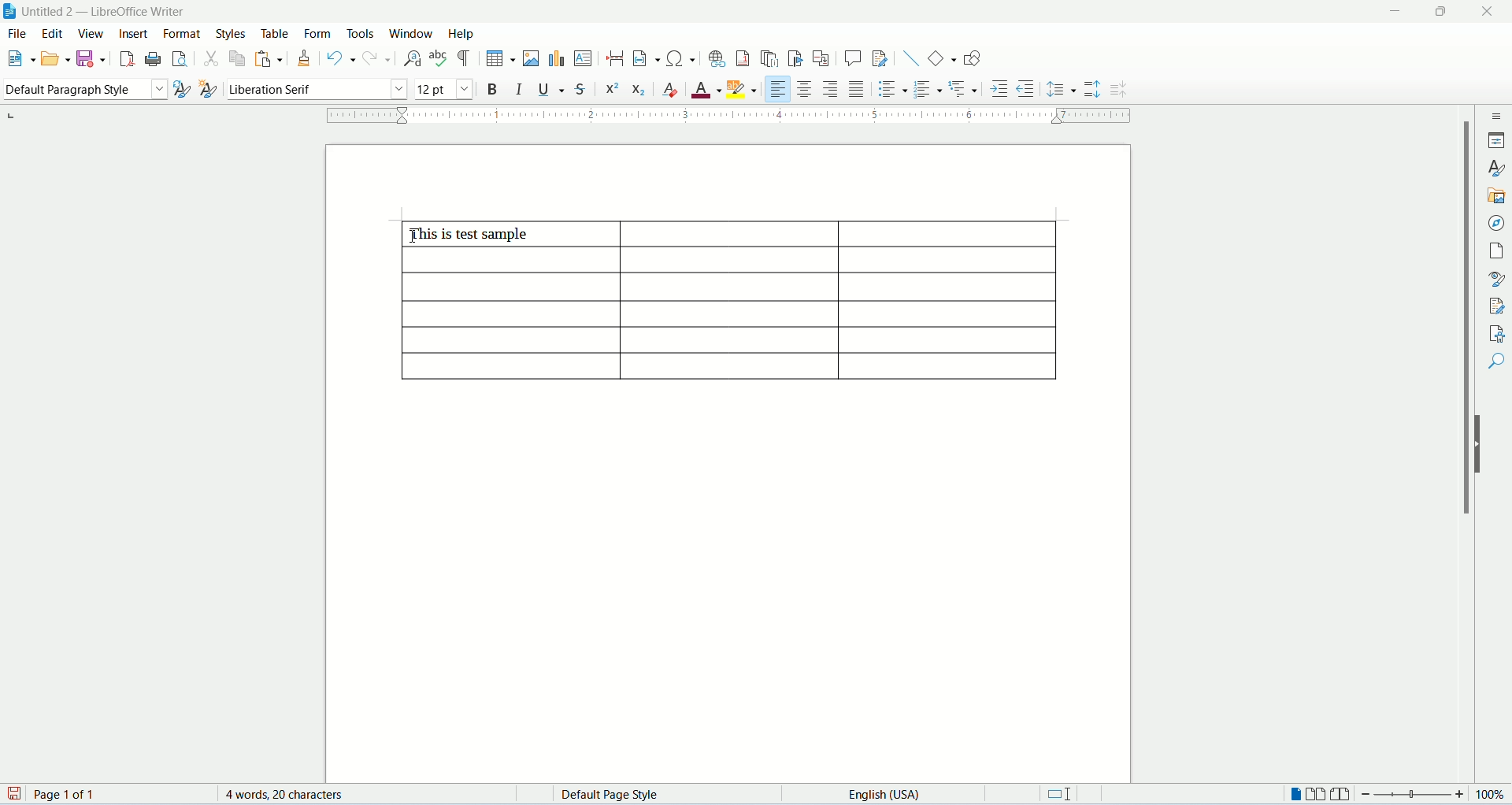 This screenshot has height=805, width=1512. What do you see at coordinates (83, 90) in the screenshot?
I see `paragraph style` at bounding box center [83, 90].